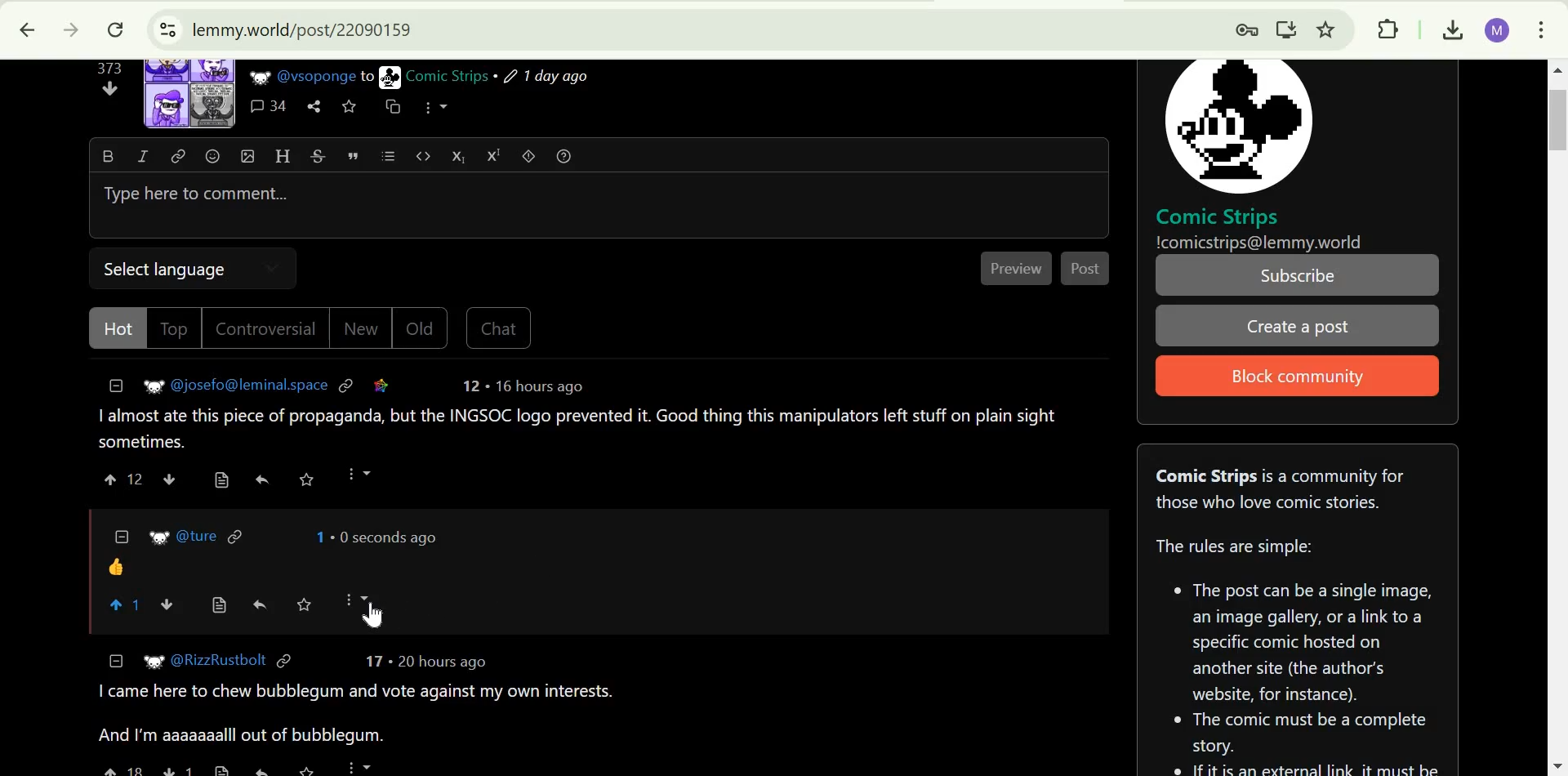 The width and height of the screenshot is (1568, 776). Describe the element at coordinates (283, 662) in the screenshot. I see `link` at that location.